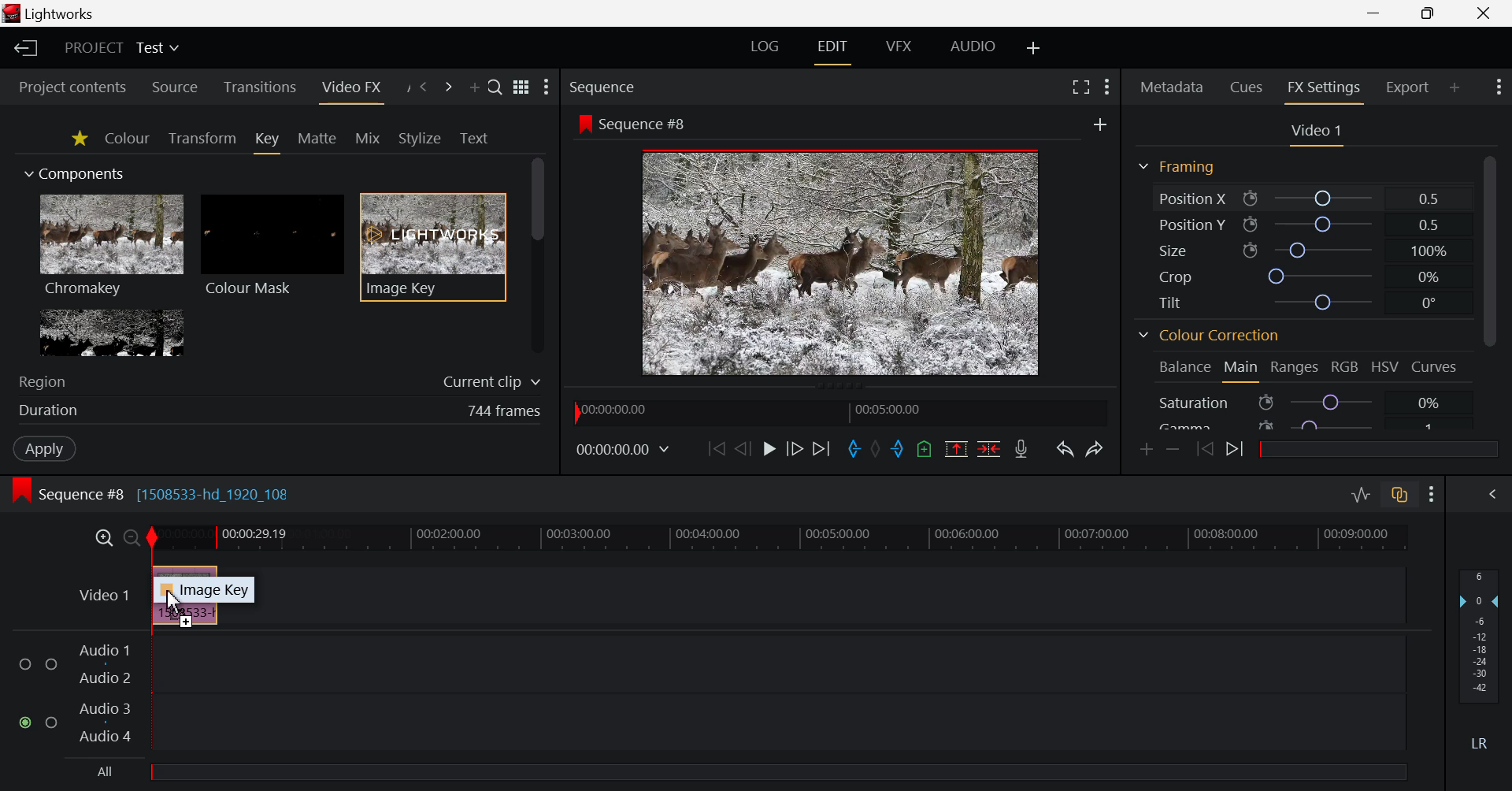  What do you see at coordinates (110, 332) in the screenshot?
I see `Lumakey` at bounding box center [110, 332].